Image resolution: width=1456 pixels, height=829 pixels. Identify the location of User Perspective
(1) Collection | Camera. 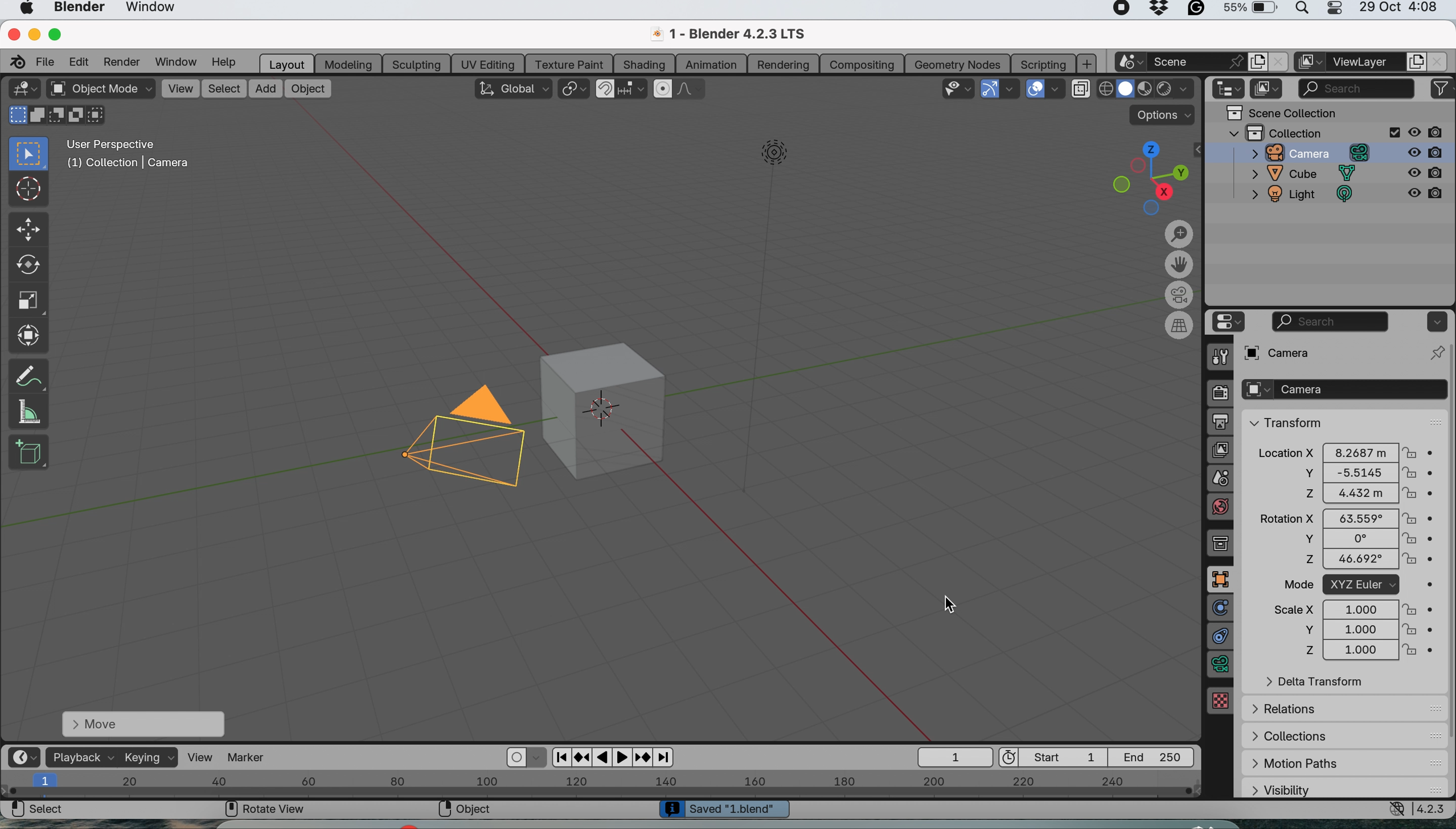
(134, 157).